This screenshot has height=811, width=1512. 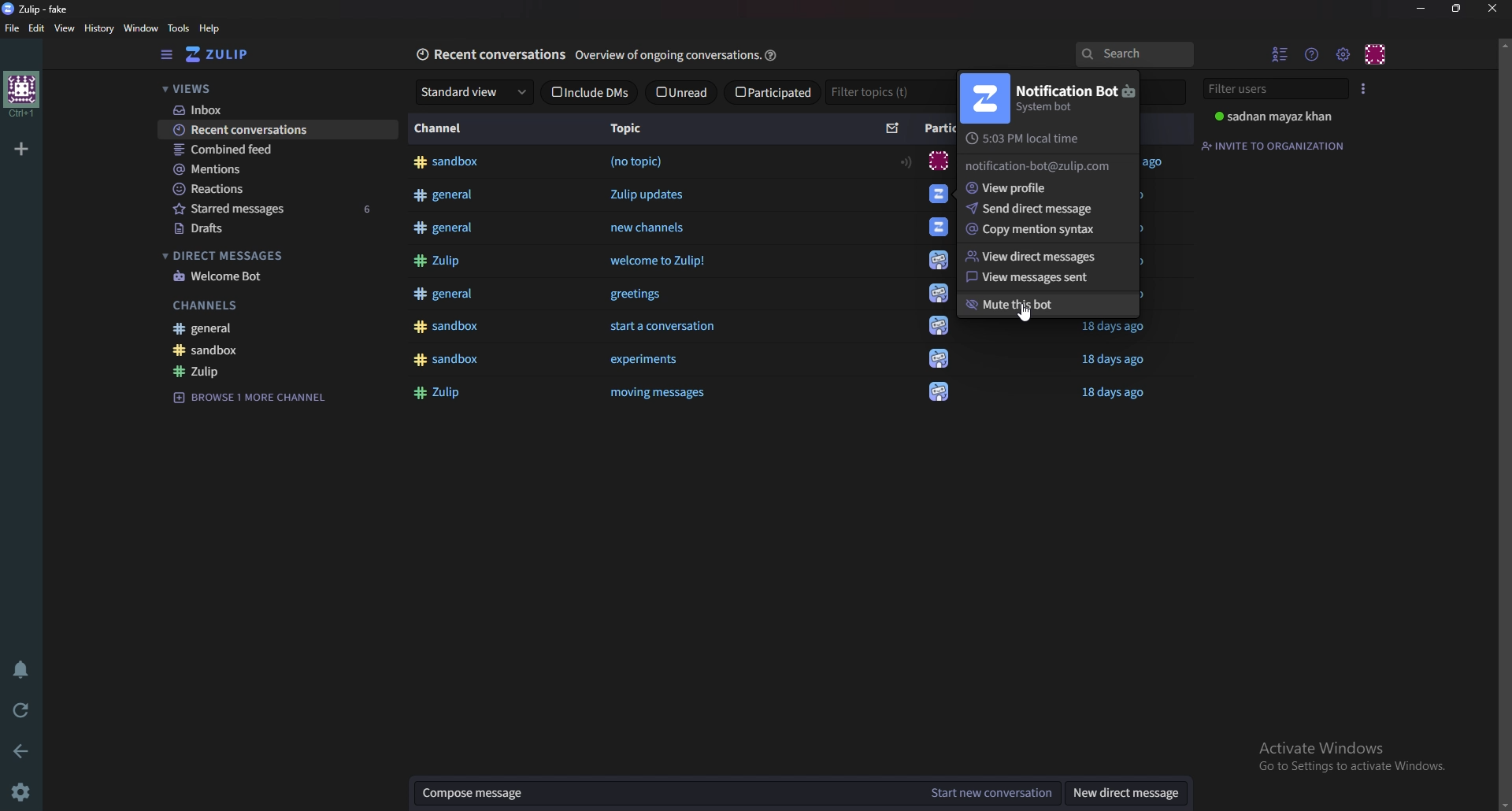 I want to click on #sandbox, so click(x=446, y=327).